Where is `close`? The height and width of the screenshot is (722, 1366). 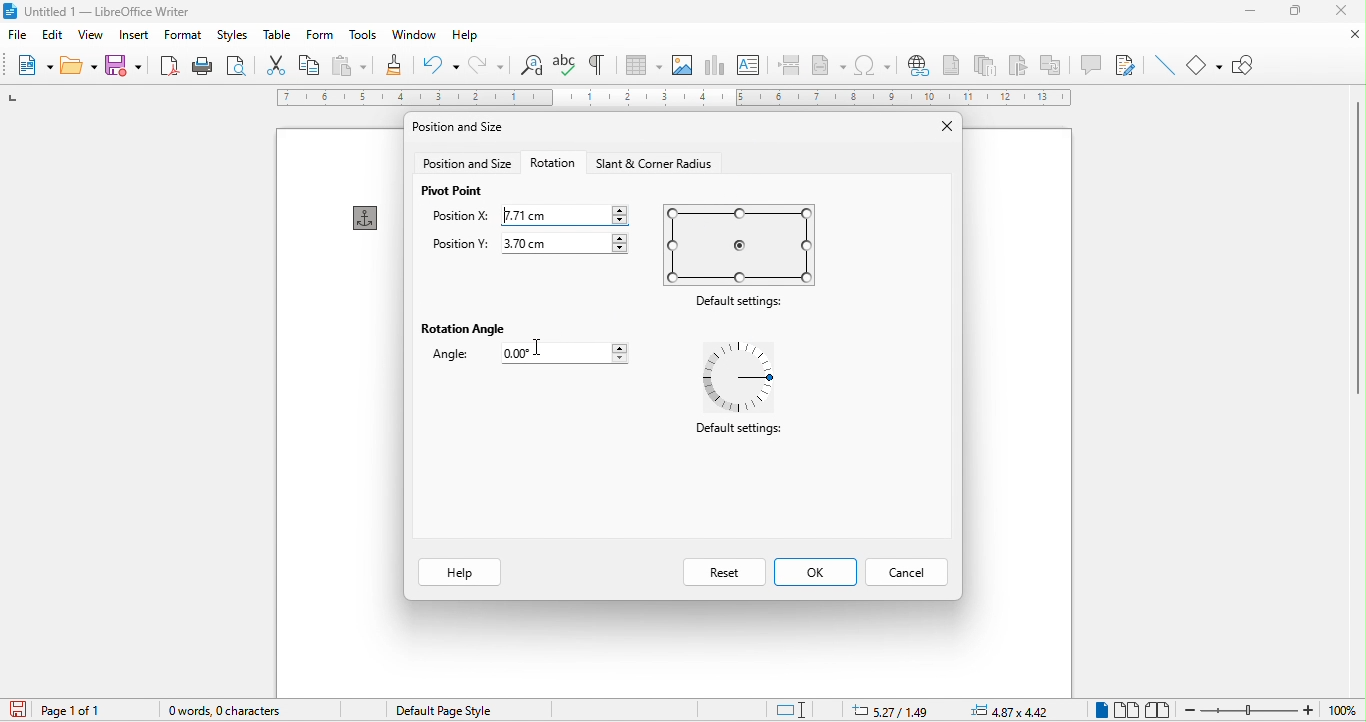 close is located at coordinates (937, 125).